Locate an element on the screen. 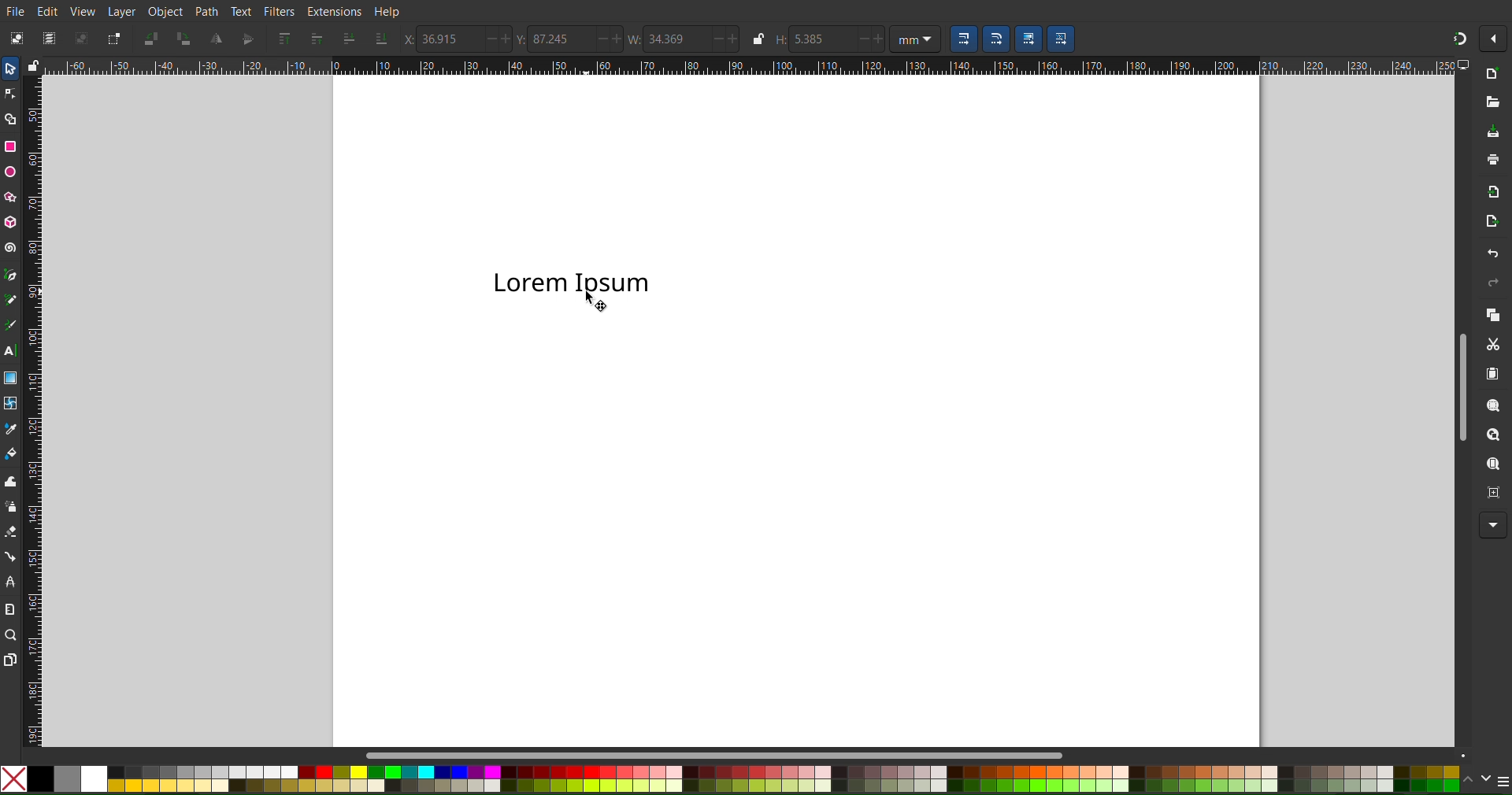 The width and height of the screenshot is (1512, 795). Eraser Tool is located at coordinates (11, 531).